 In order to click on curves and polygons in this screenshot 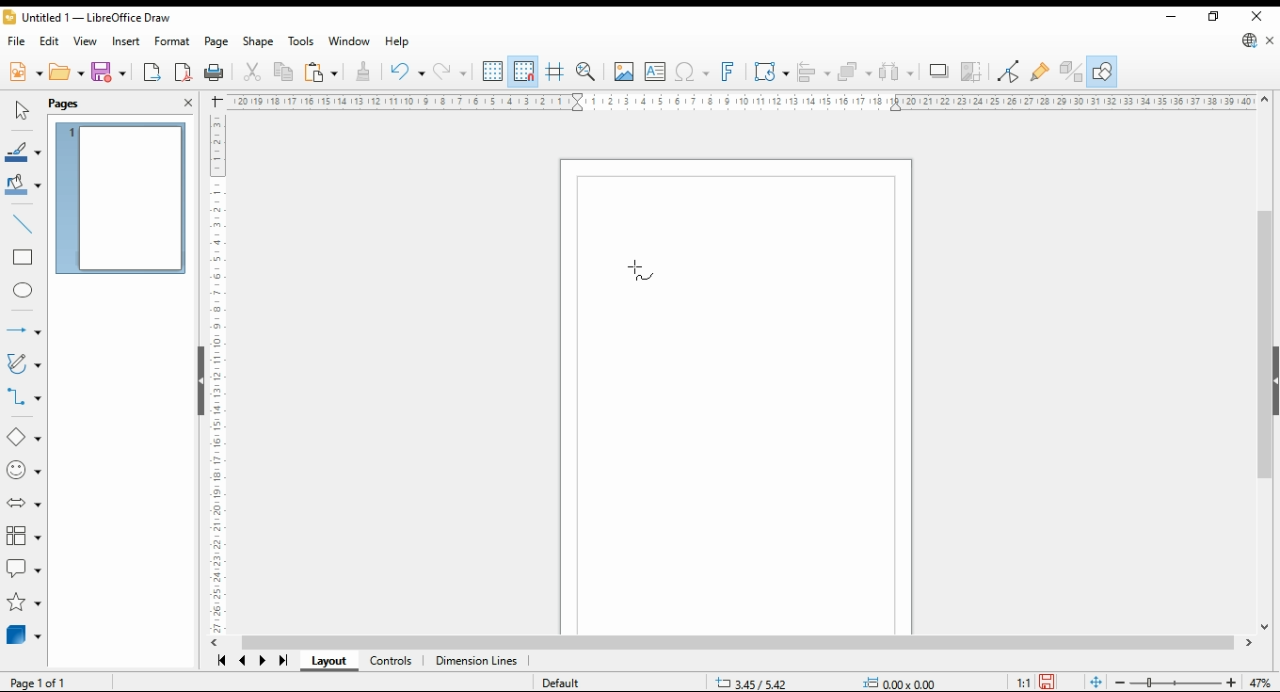, I will do `click(22, 364)`.